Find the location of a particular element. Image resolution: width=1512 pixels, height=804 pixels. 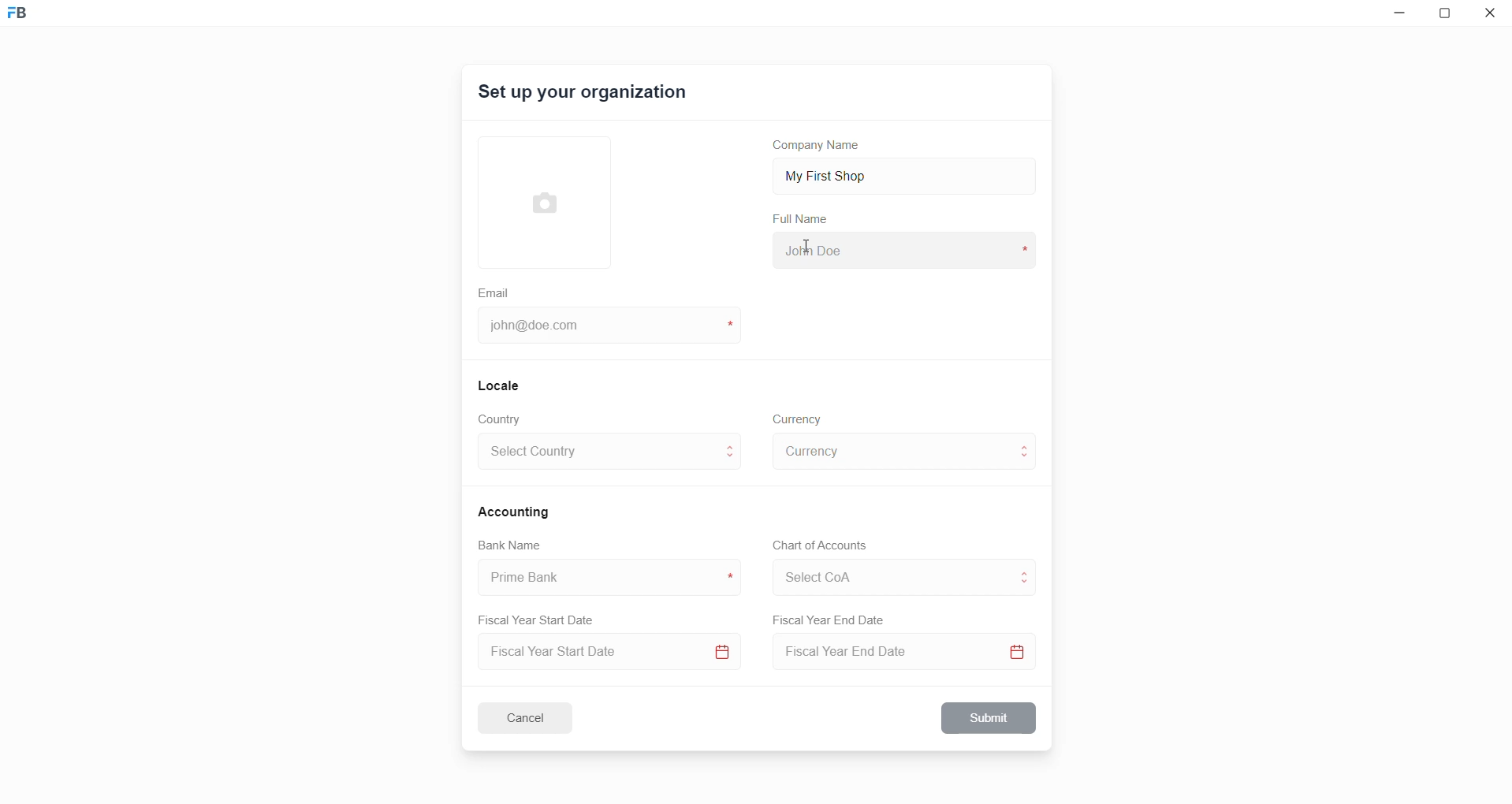

move to below country is located at coordinates (733, 461).